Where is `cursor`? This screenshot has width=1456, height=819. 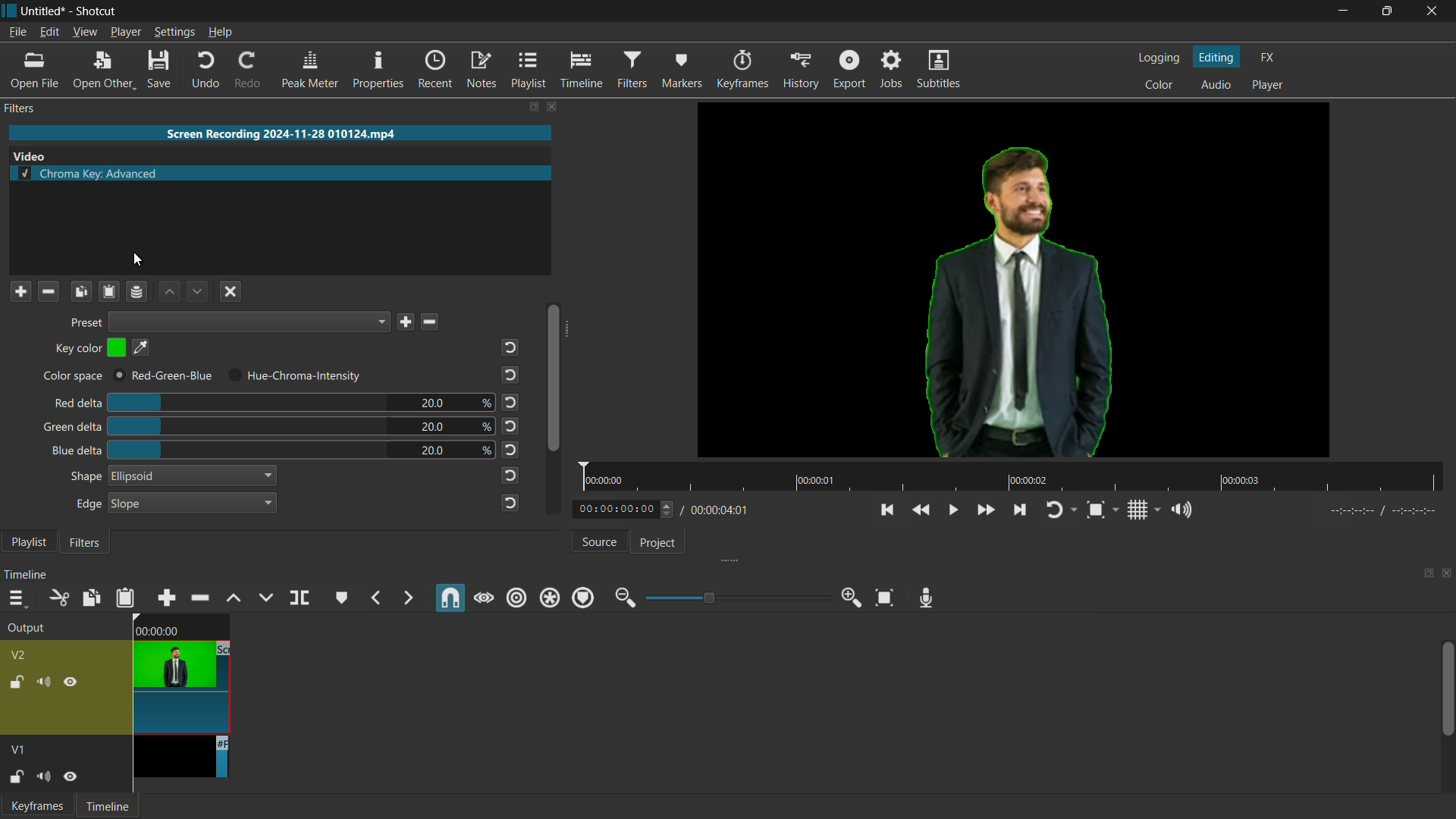
cursor is located at coordinates (137, 259).